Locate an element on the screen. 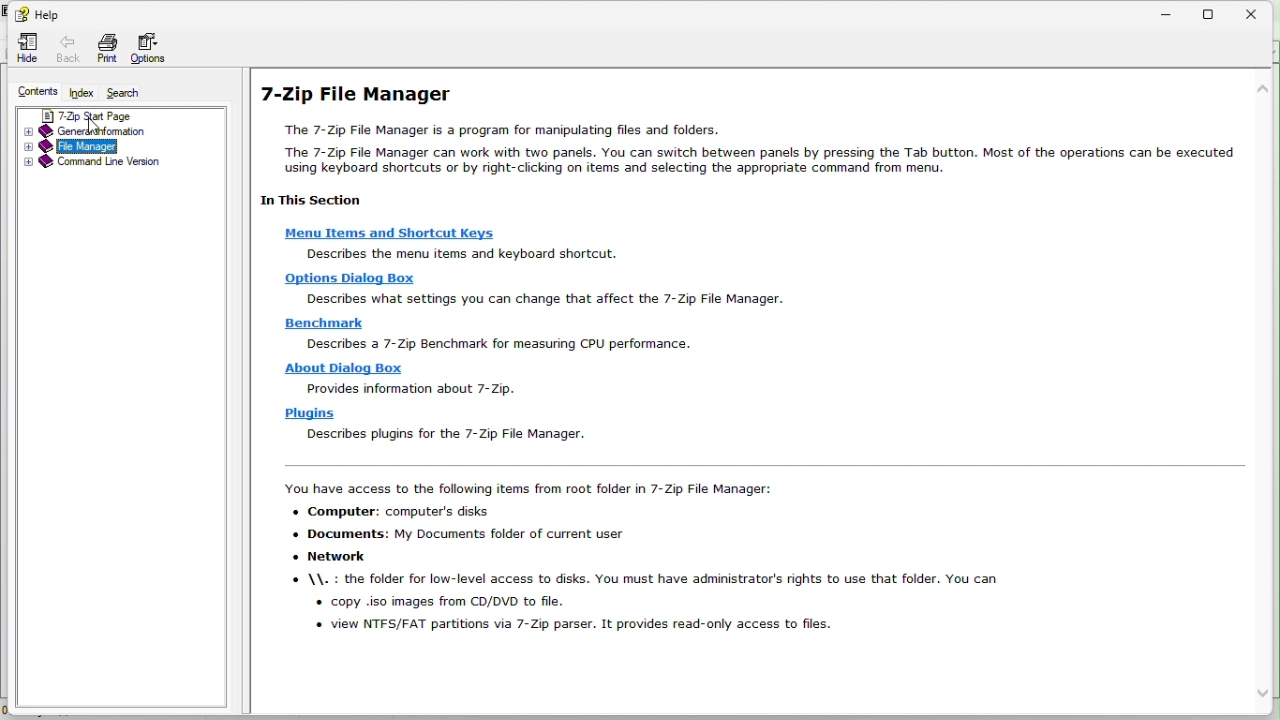  Describes the menu and keyboard shortcut. is located at coordinates (460, 254).